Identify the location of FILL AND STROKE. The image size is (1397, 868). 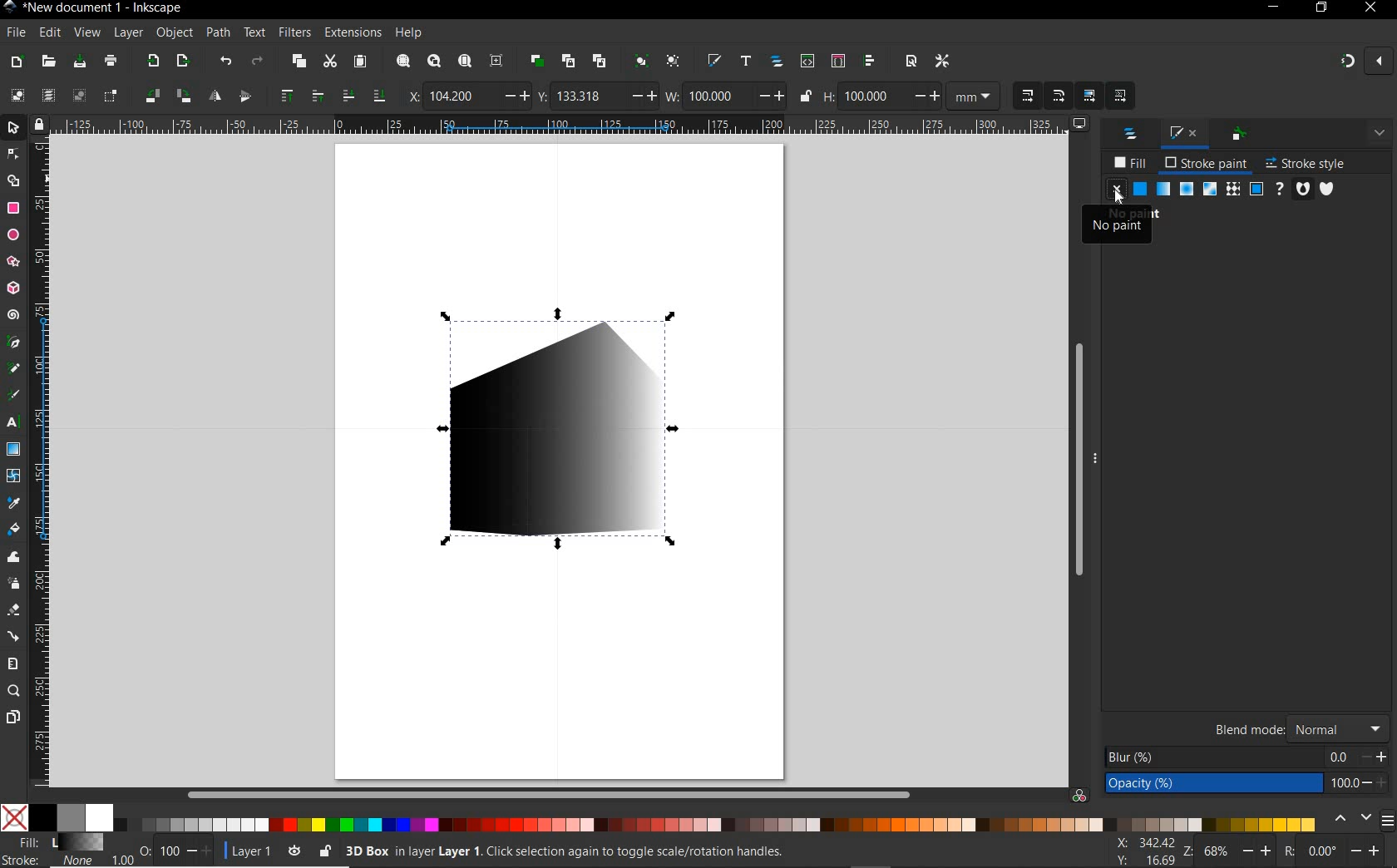
(1185, 134).